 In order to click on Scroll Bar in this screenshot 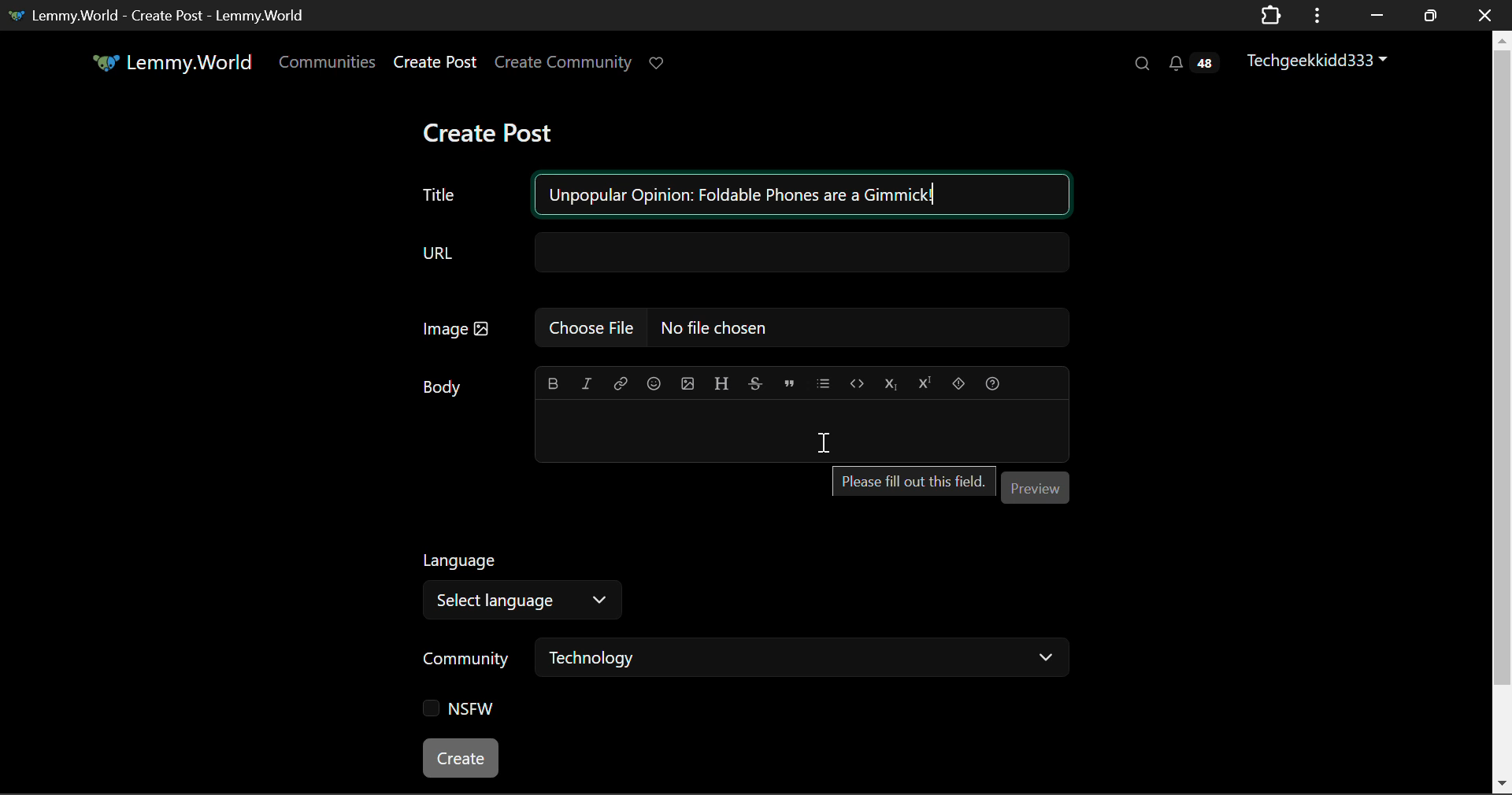, I will do `click(1503, 409)`.